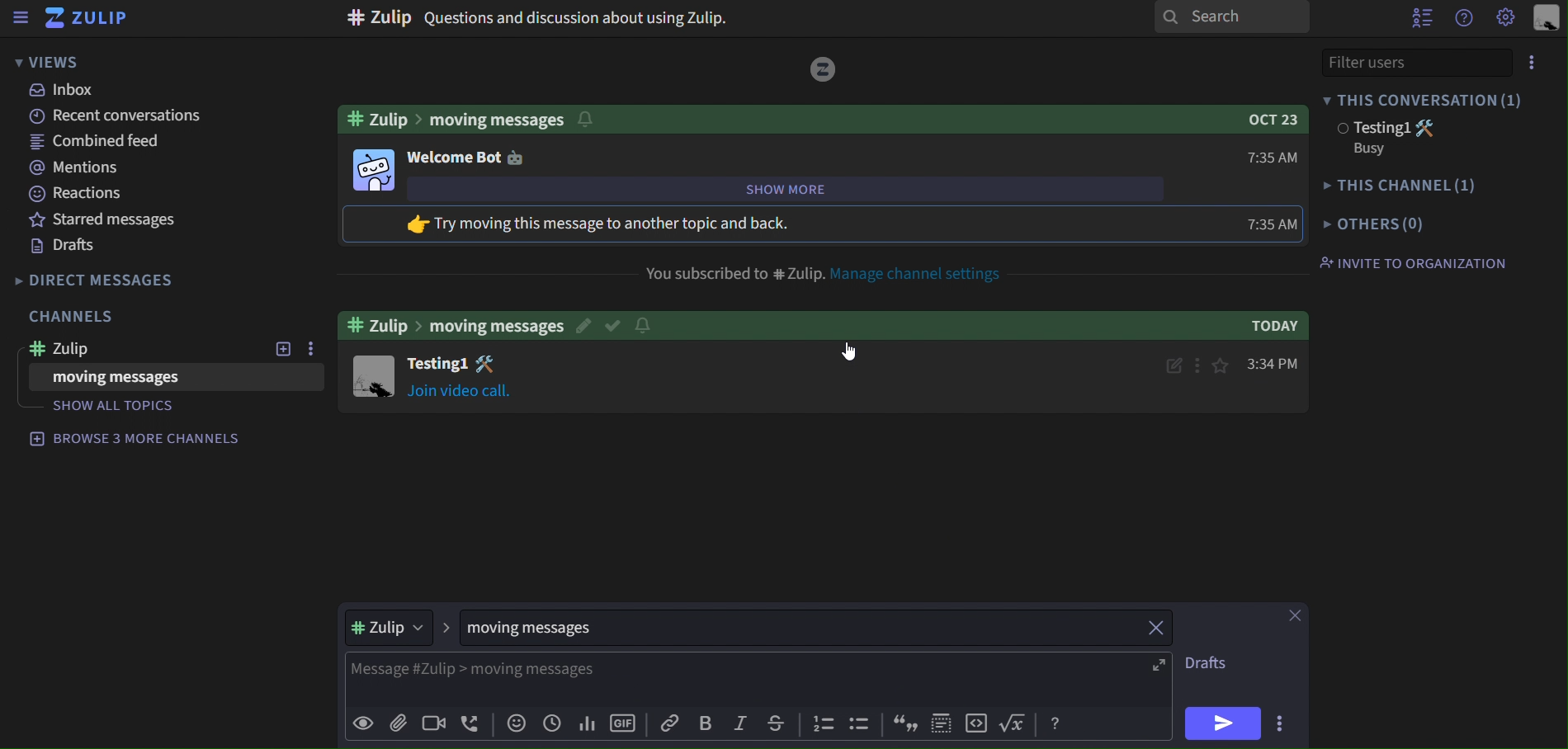 Image resolution: width=1568 pixels, height=749 pixels. What do you see at coordinates (1373, 224) in the screenshot?
I see `others (0)` at bounding box center [1373, 224].